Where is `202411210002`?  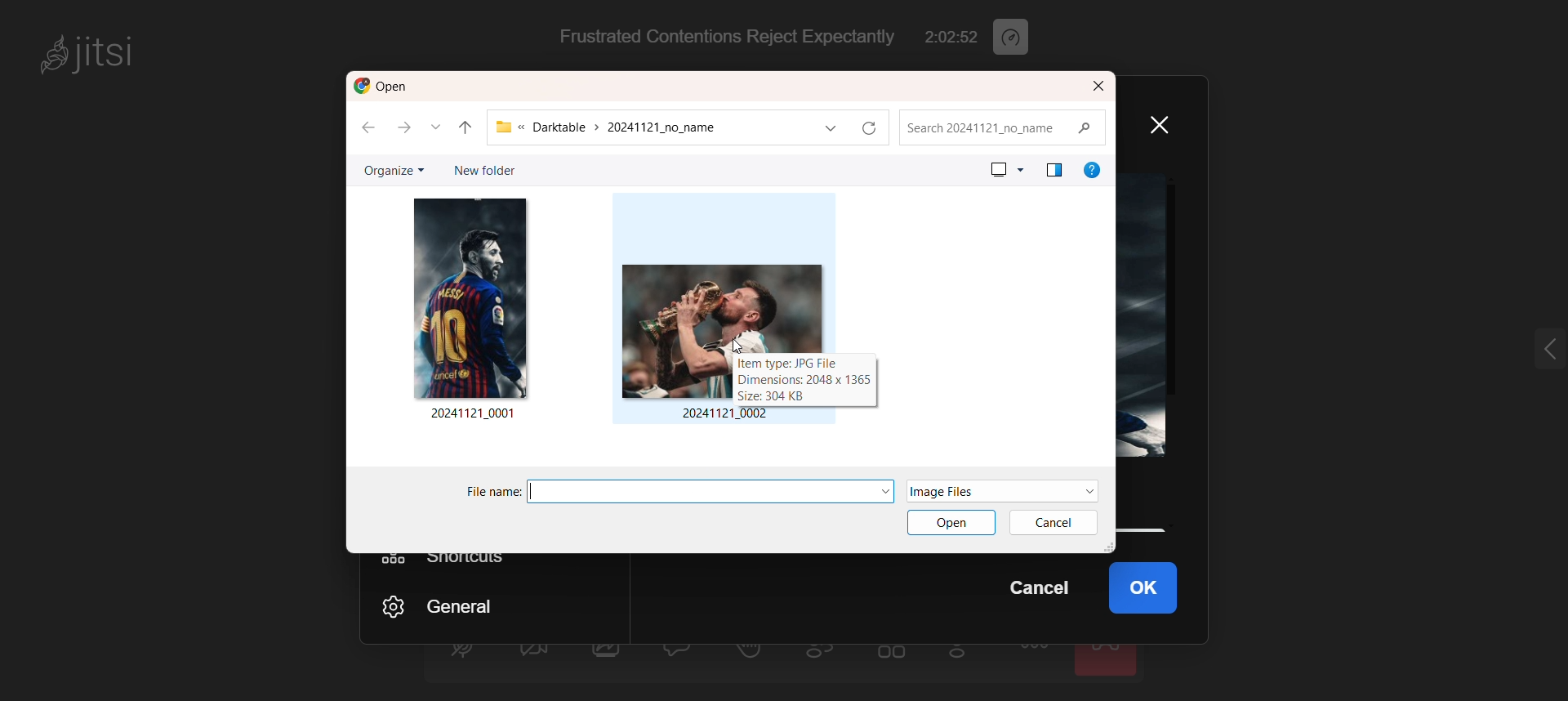
202411210002 is located at coordinates (725, 414).